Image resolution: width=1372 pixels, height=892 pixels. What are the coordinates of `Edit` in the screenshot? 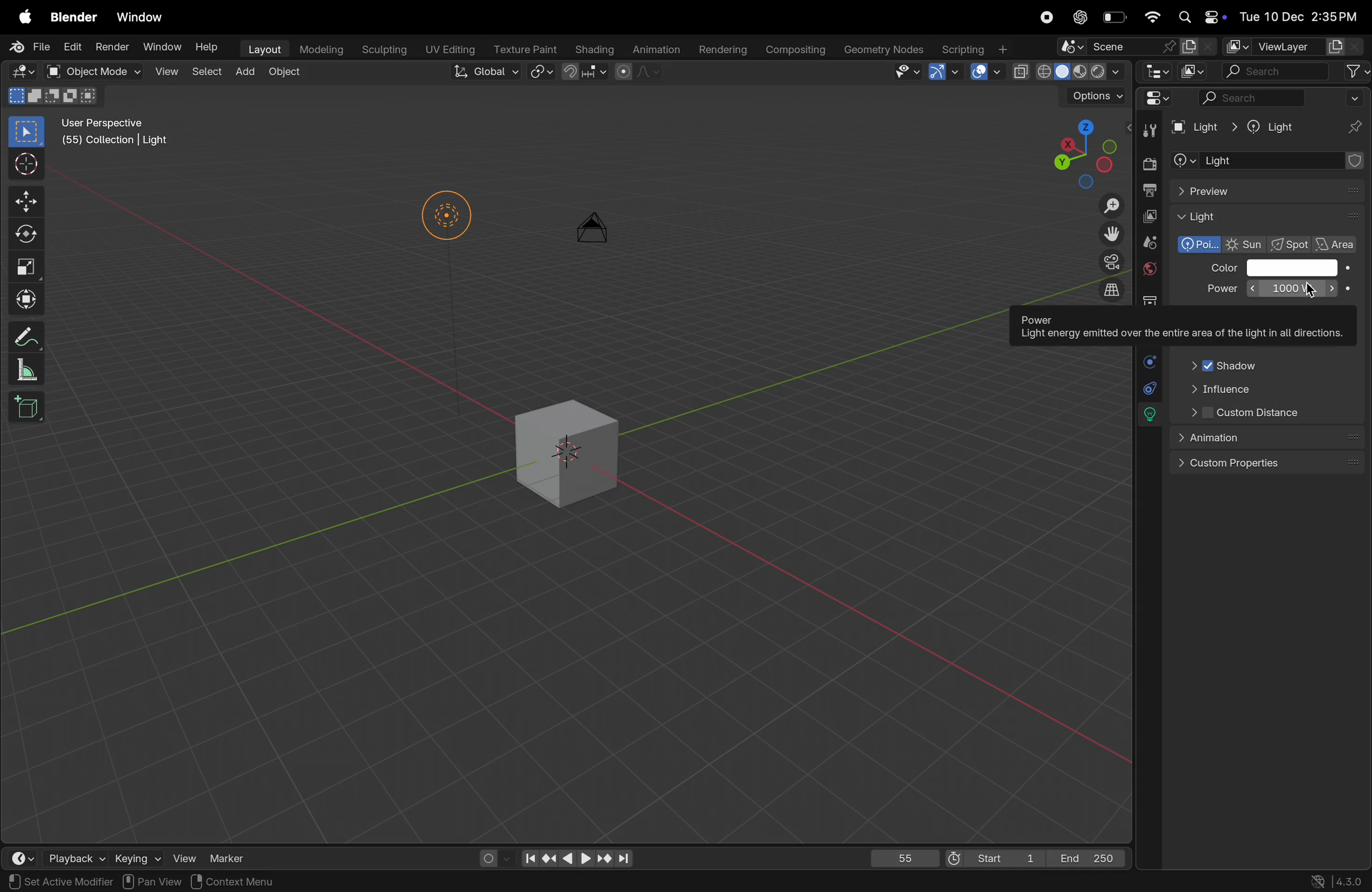 It's located at (71, 47).